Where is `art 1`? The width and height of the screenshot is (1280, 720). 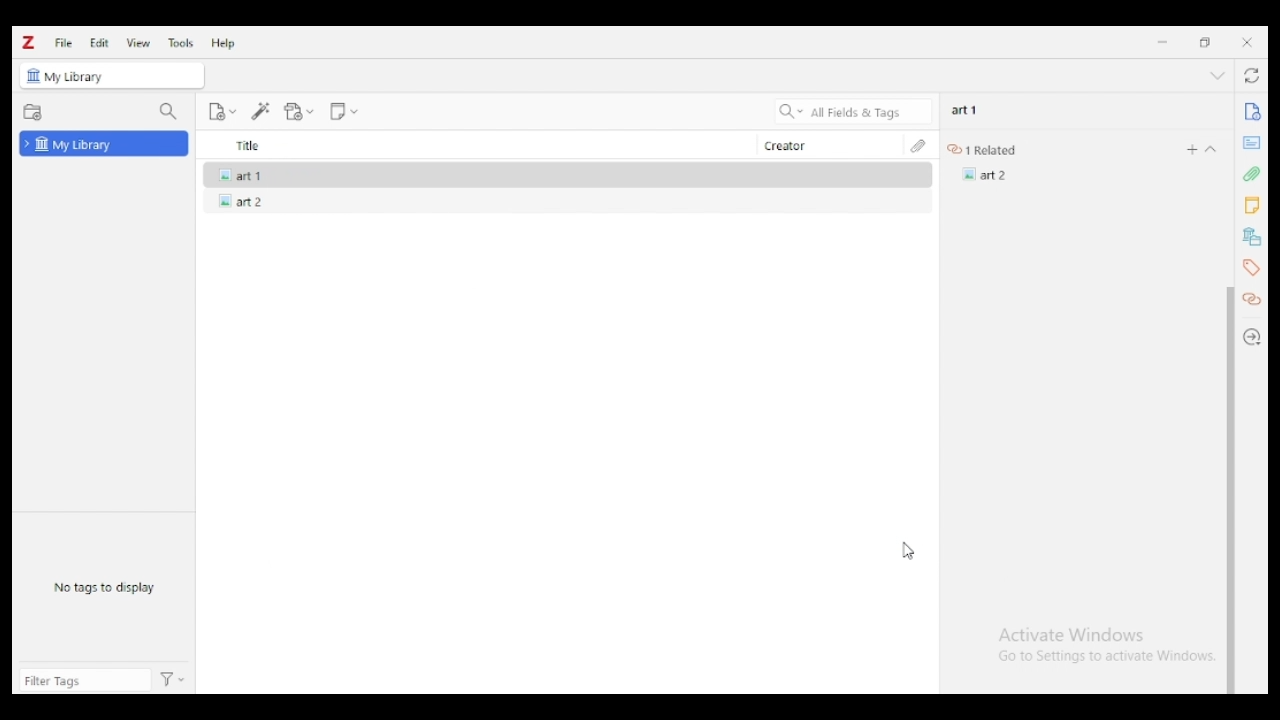
art 1 is located at coordinates (965, 110).